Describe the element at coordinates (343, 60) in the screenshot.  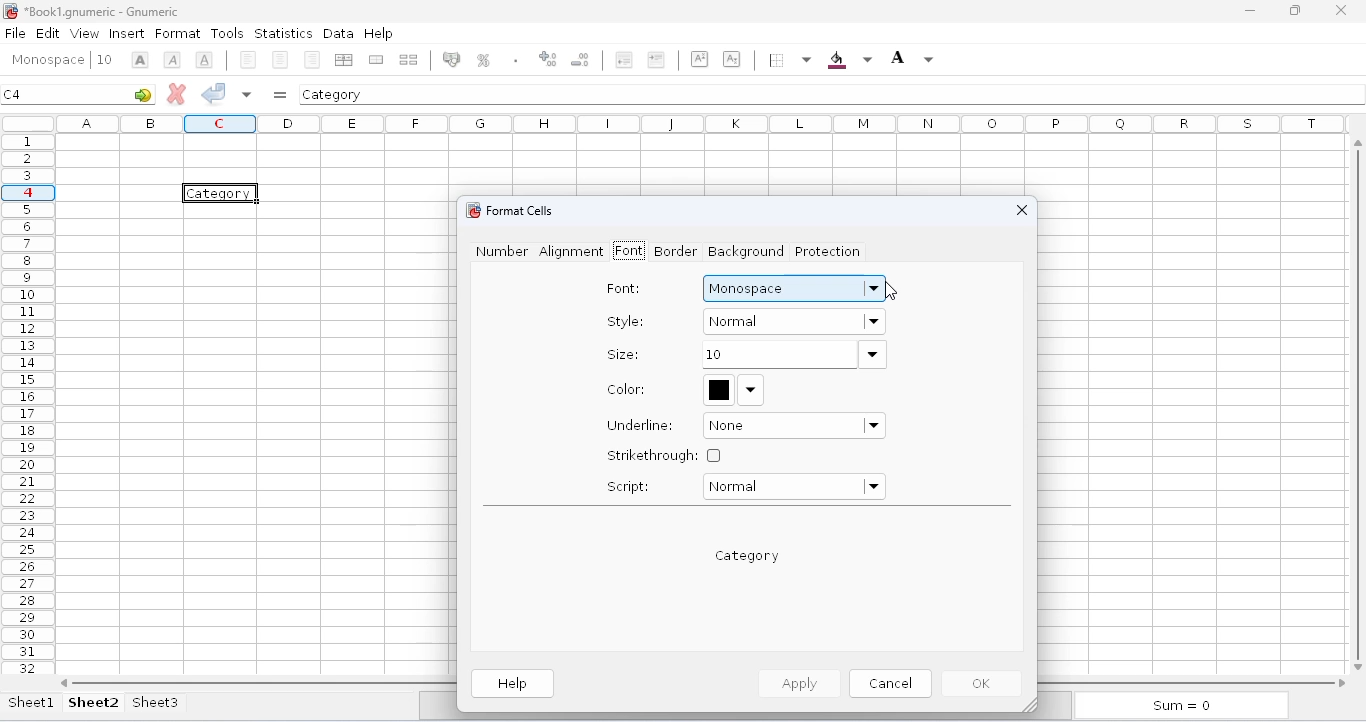
I see `center horizontally across the selection` at that location.